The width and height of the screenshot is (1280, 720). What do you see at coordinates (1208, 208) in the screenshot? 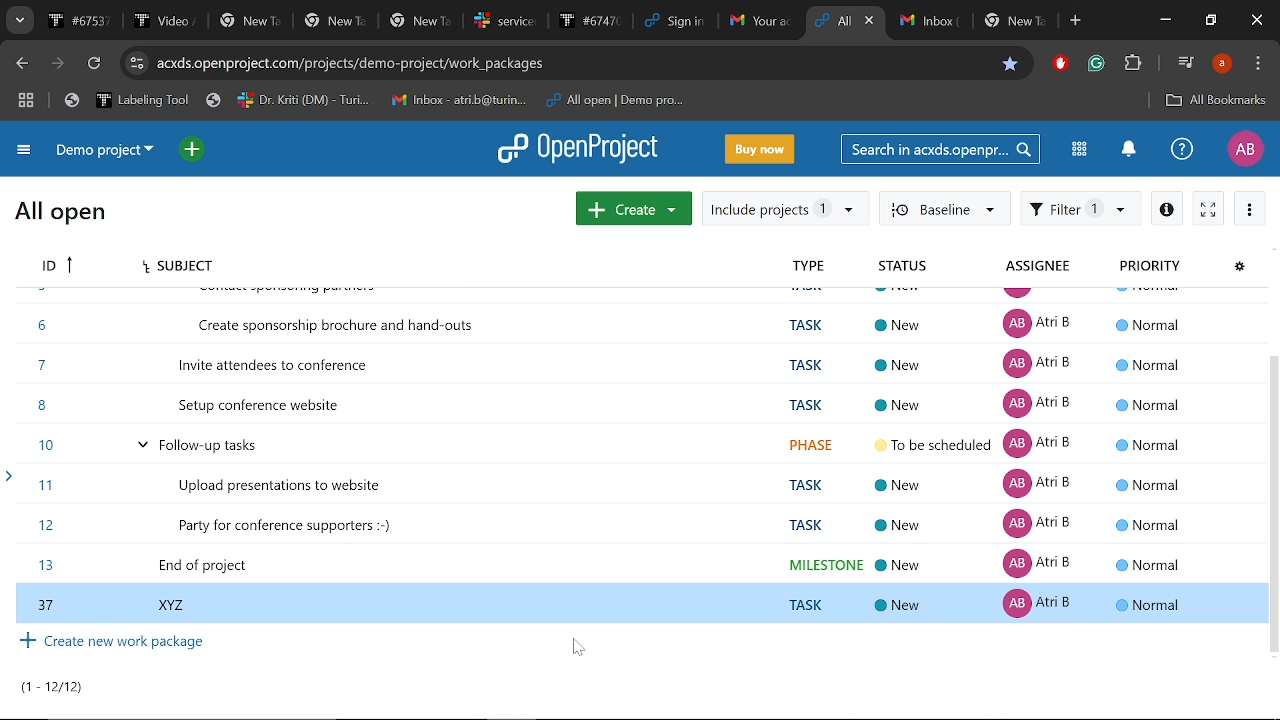
I see `Activaet zen mode` at bounding box center [1208, 208].